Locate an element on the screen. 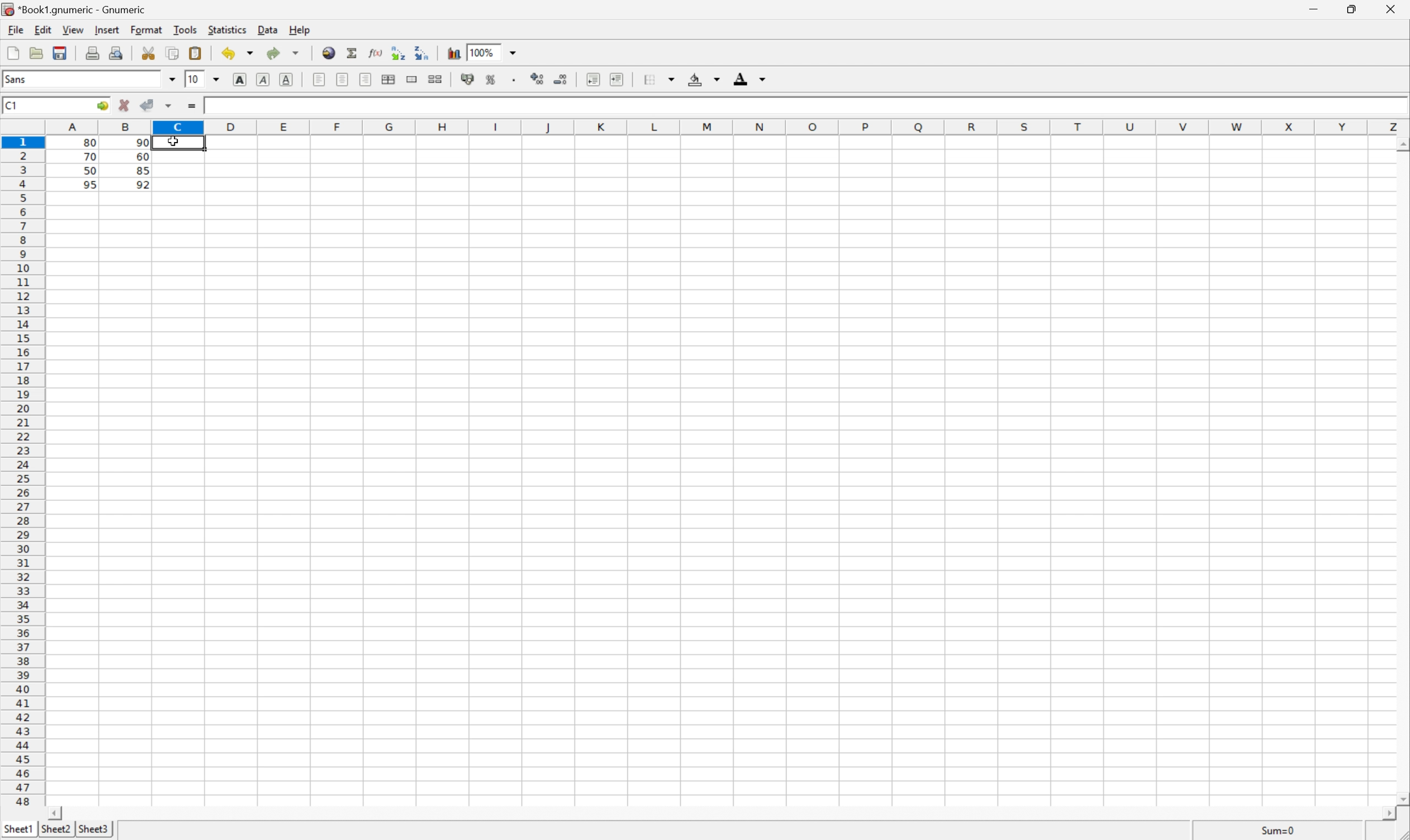 The width and height of the screenshot is (1410, 840). Increase indent, and align the contents to the left is located at coordinates (619, 78).